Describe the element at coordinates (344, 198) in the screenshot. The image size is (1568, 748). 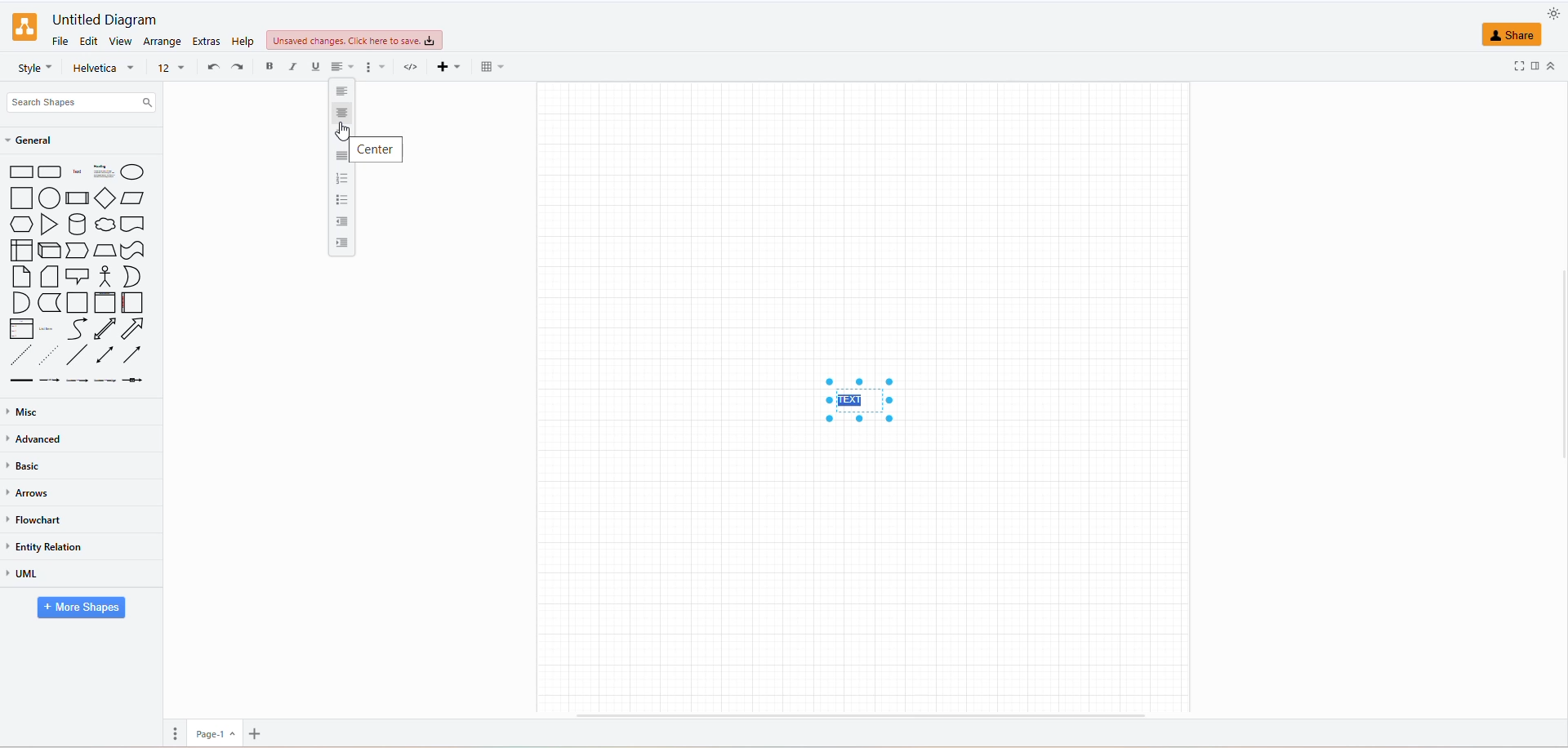
I see `bulleted list` at that location.